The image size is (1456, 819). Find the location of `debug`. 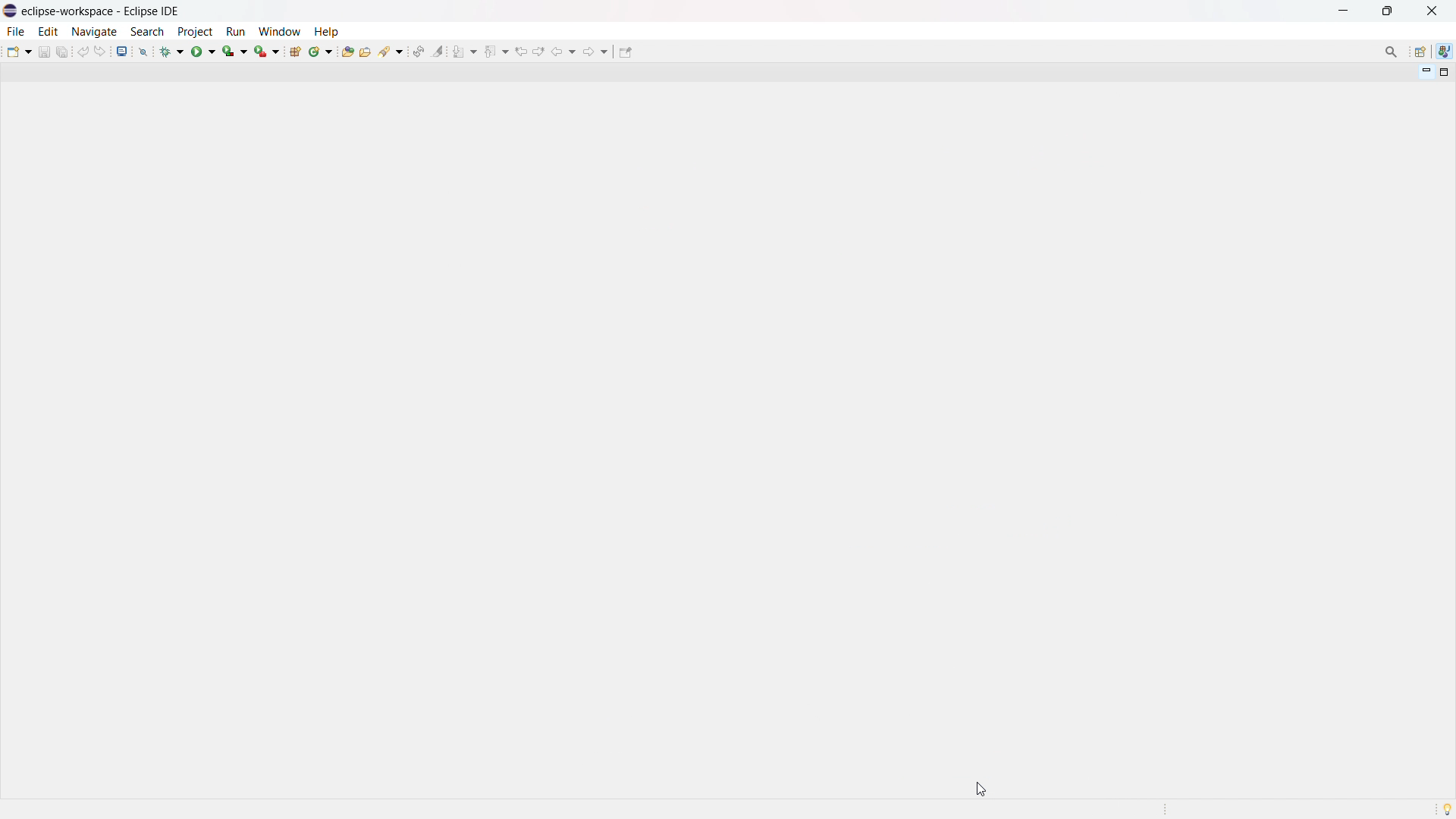

debug is located at coordinates (172, 51).